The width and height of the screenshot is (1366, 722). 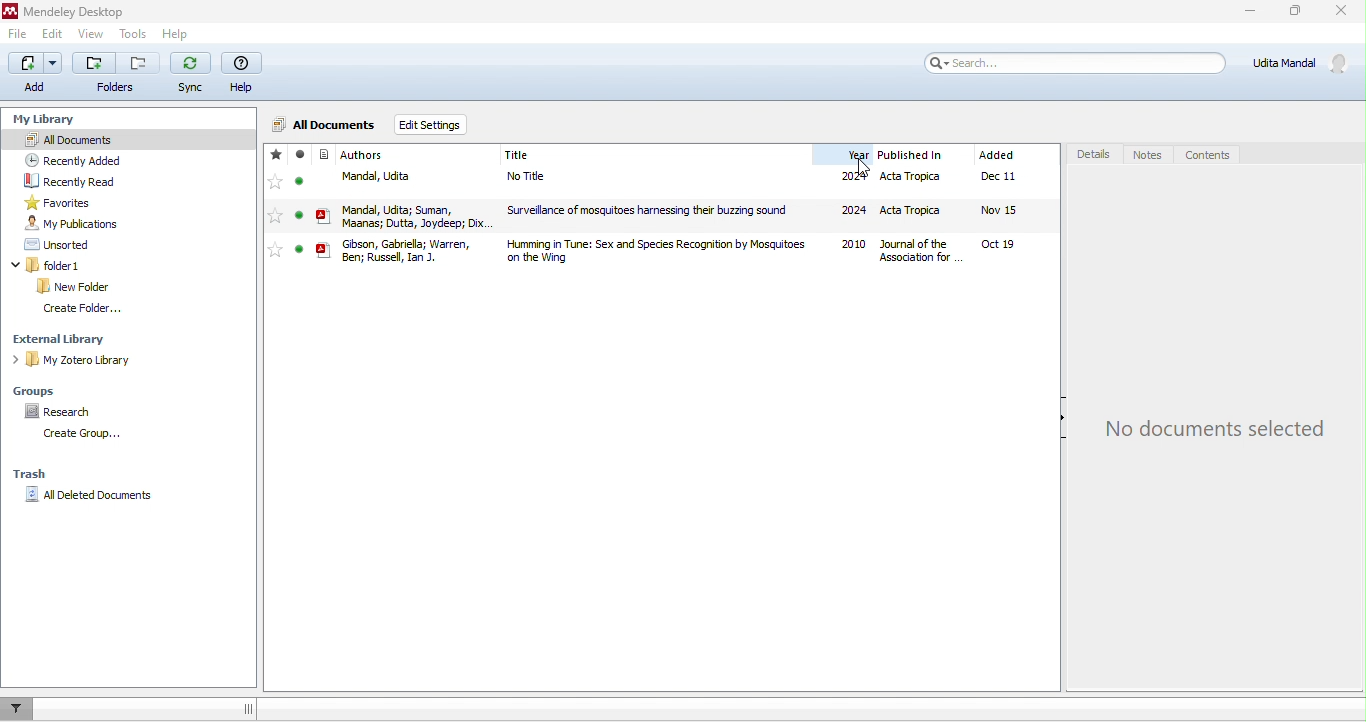 I want to click on favorites, so click(x=53, y=203).